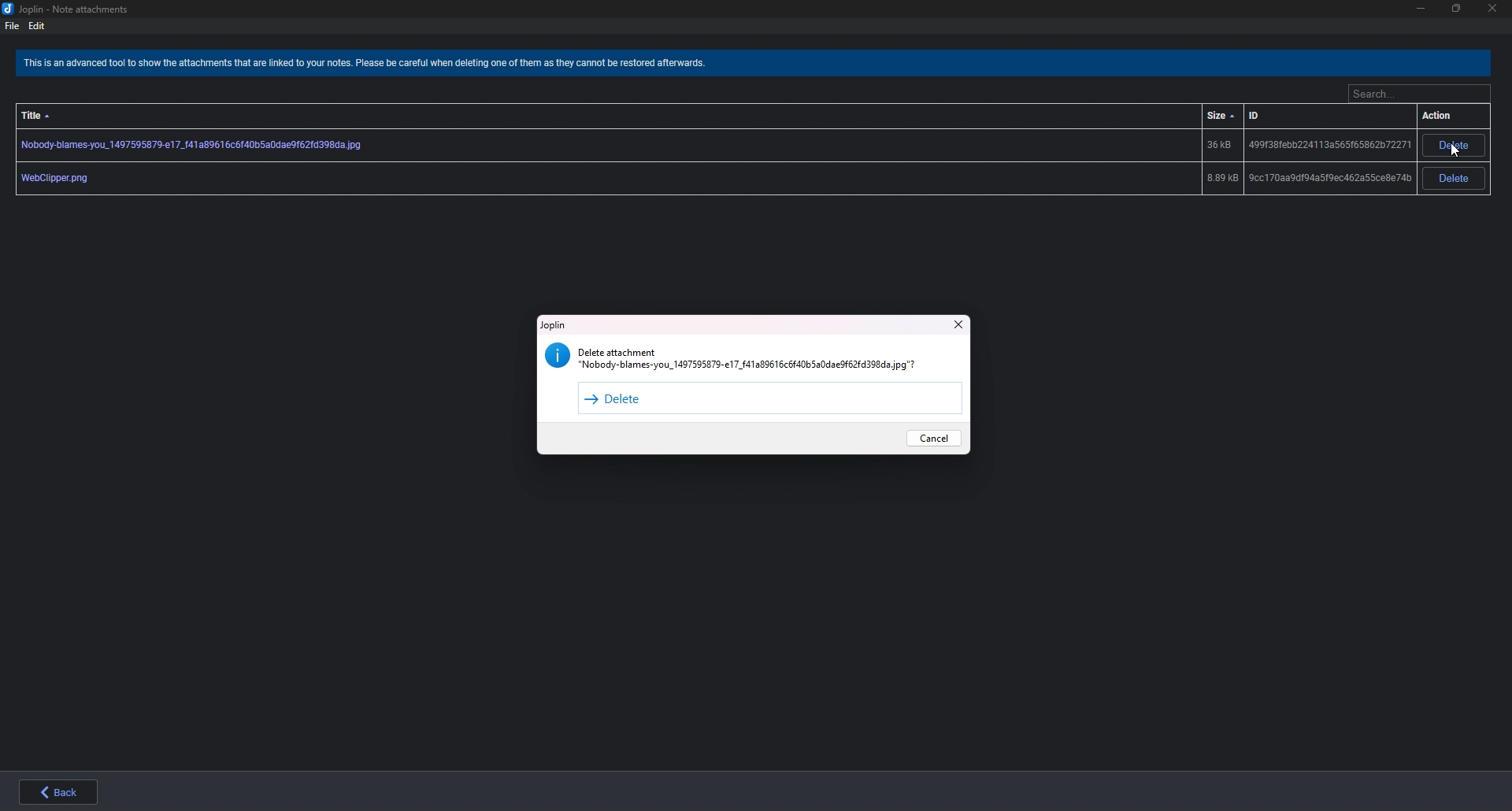 This screenshot has width=1512, height=811. I want to click on size, so click(1221, 116).